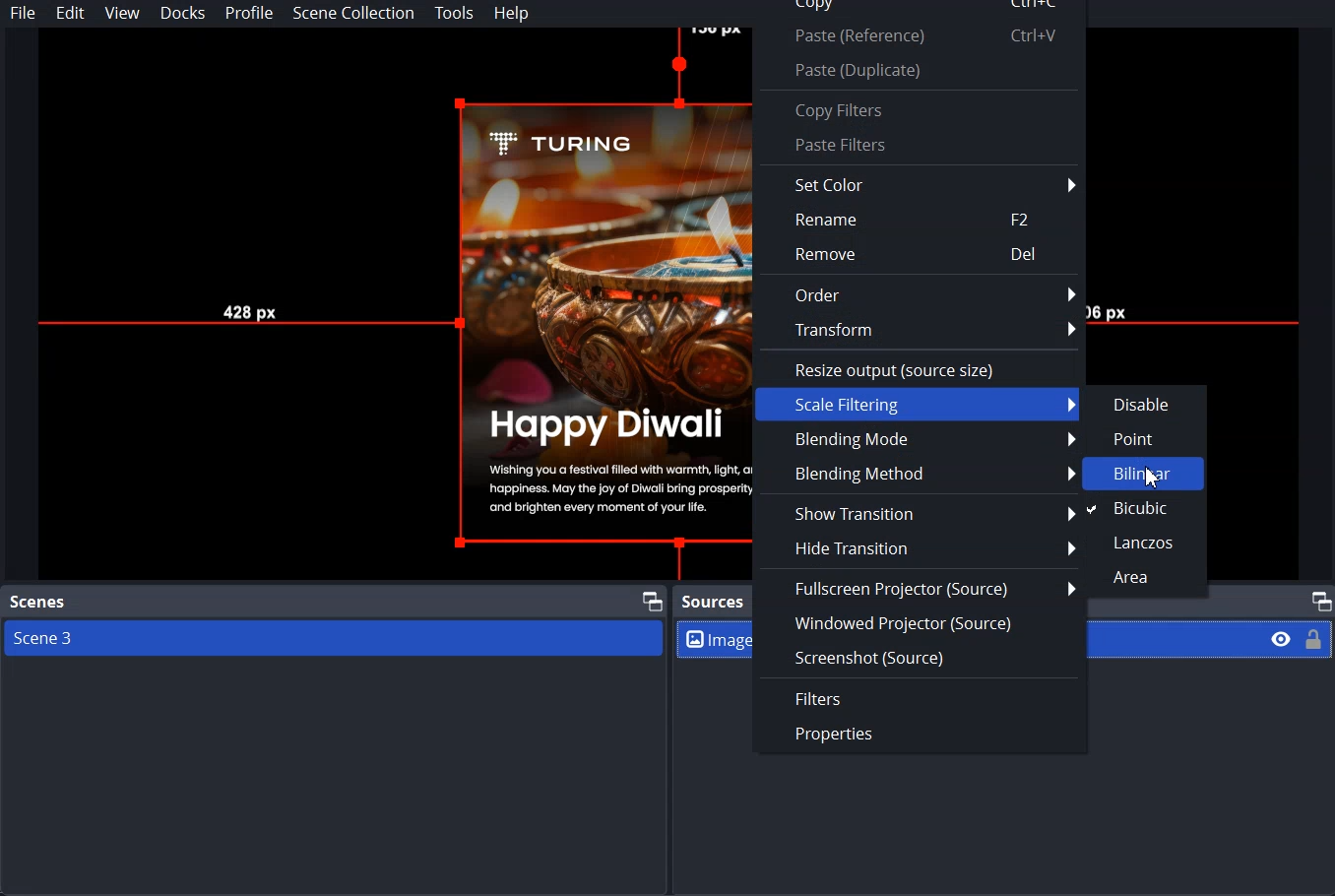 The width and height of the screenshot is (1335, 896). I want to click on File, so click(24, 13).